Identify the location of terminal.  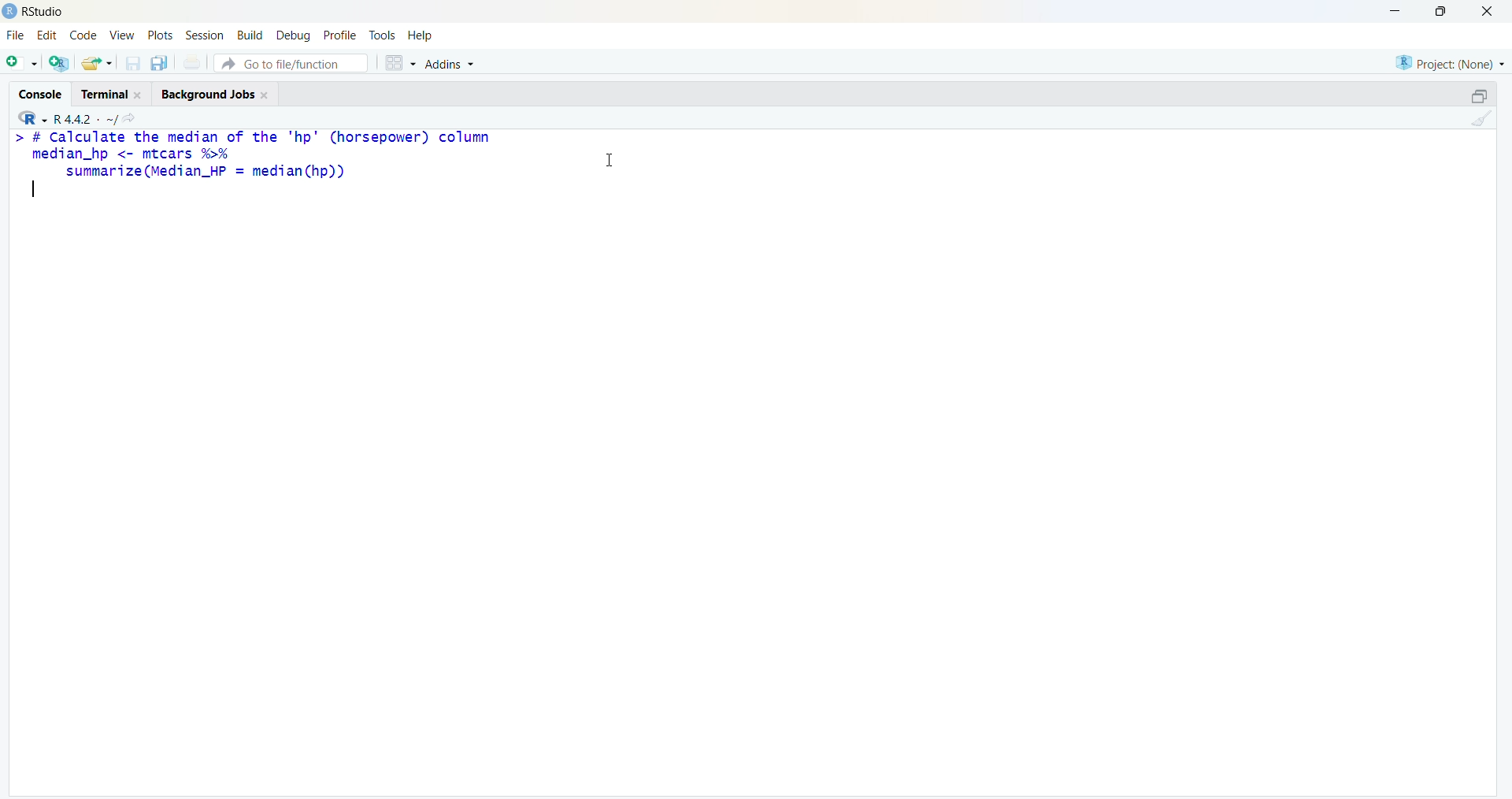
(106, 95).